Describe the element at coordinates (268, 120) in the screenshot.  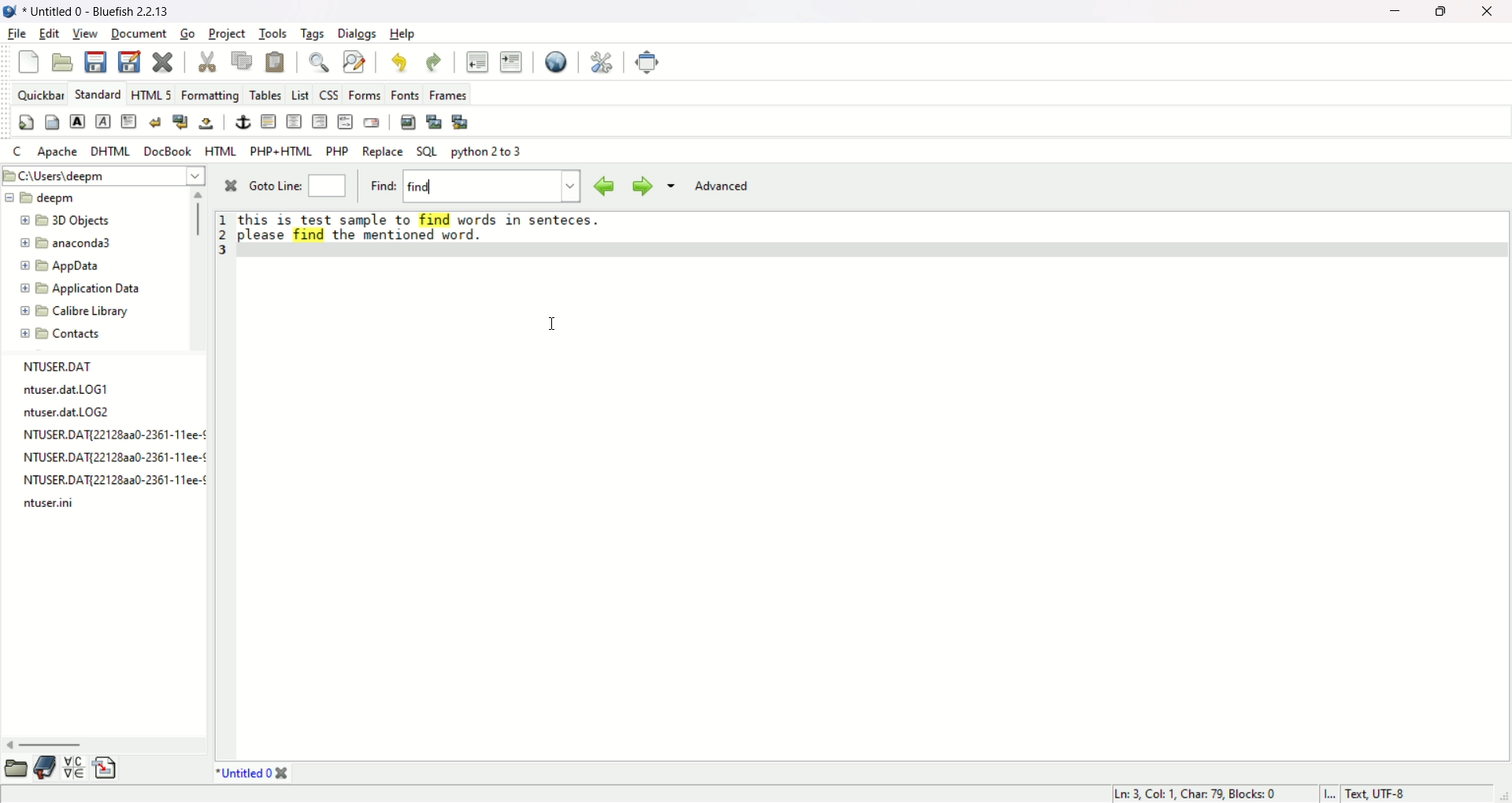
I see `horizontal rule` at that location.